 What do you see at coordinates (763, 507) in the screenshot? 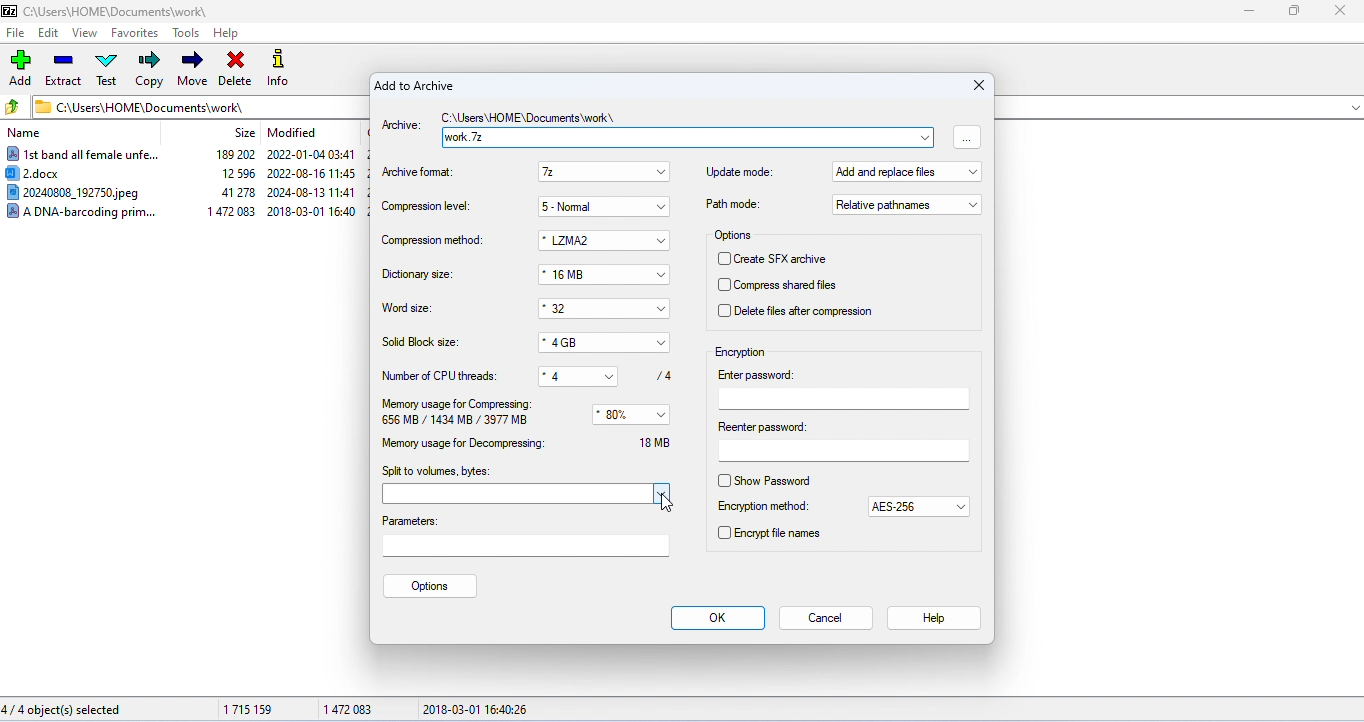
I see `encryption method` at bounding box center [763, 507].